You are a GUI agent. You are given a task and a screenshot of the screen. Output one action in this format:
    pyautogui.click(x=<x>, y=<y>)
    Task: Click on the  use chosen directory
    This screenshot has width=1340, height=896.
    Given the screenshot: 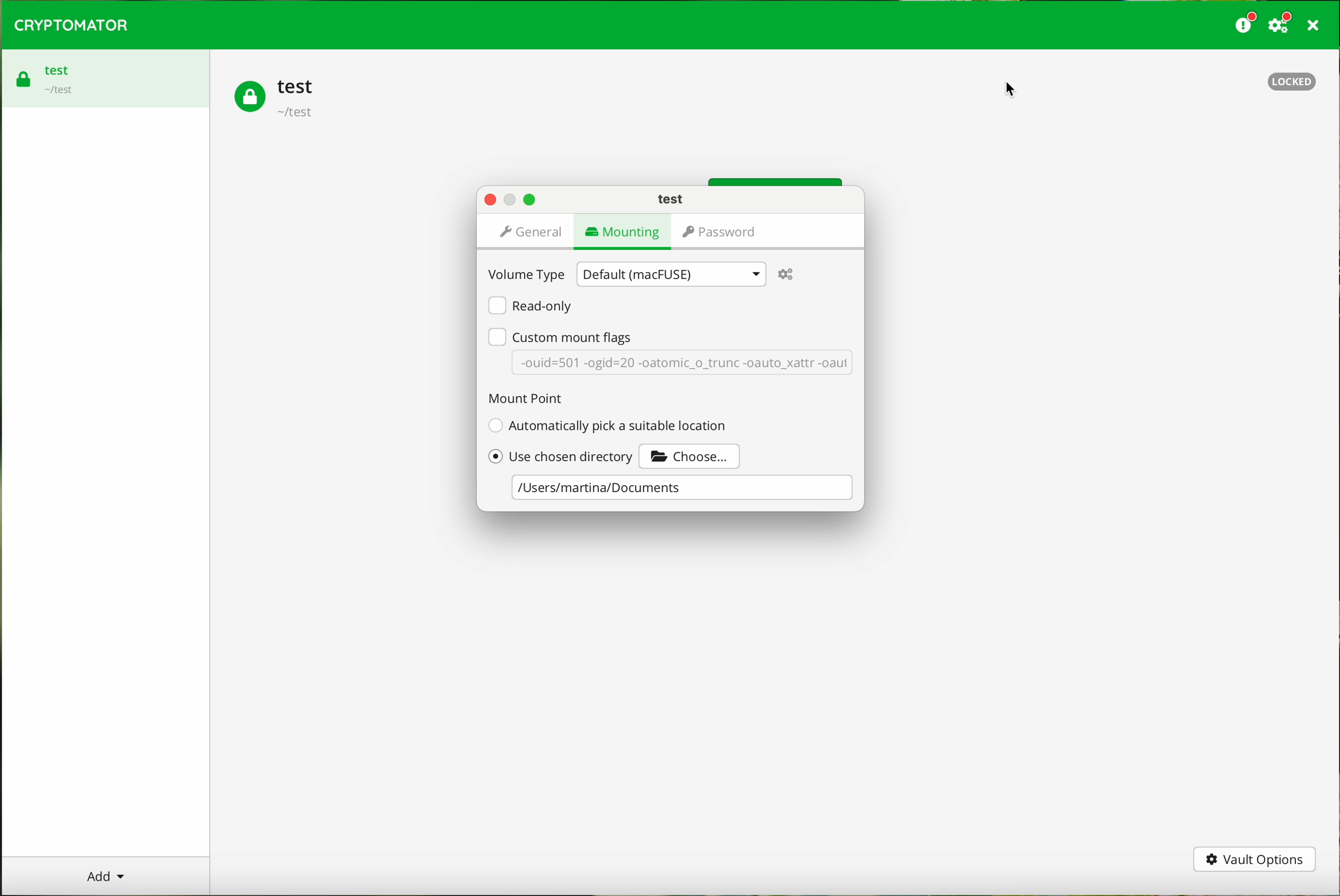 What is the action you would take?
    pyautogui.click(x=561, y=455)
    